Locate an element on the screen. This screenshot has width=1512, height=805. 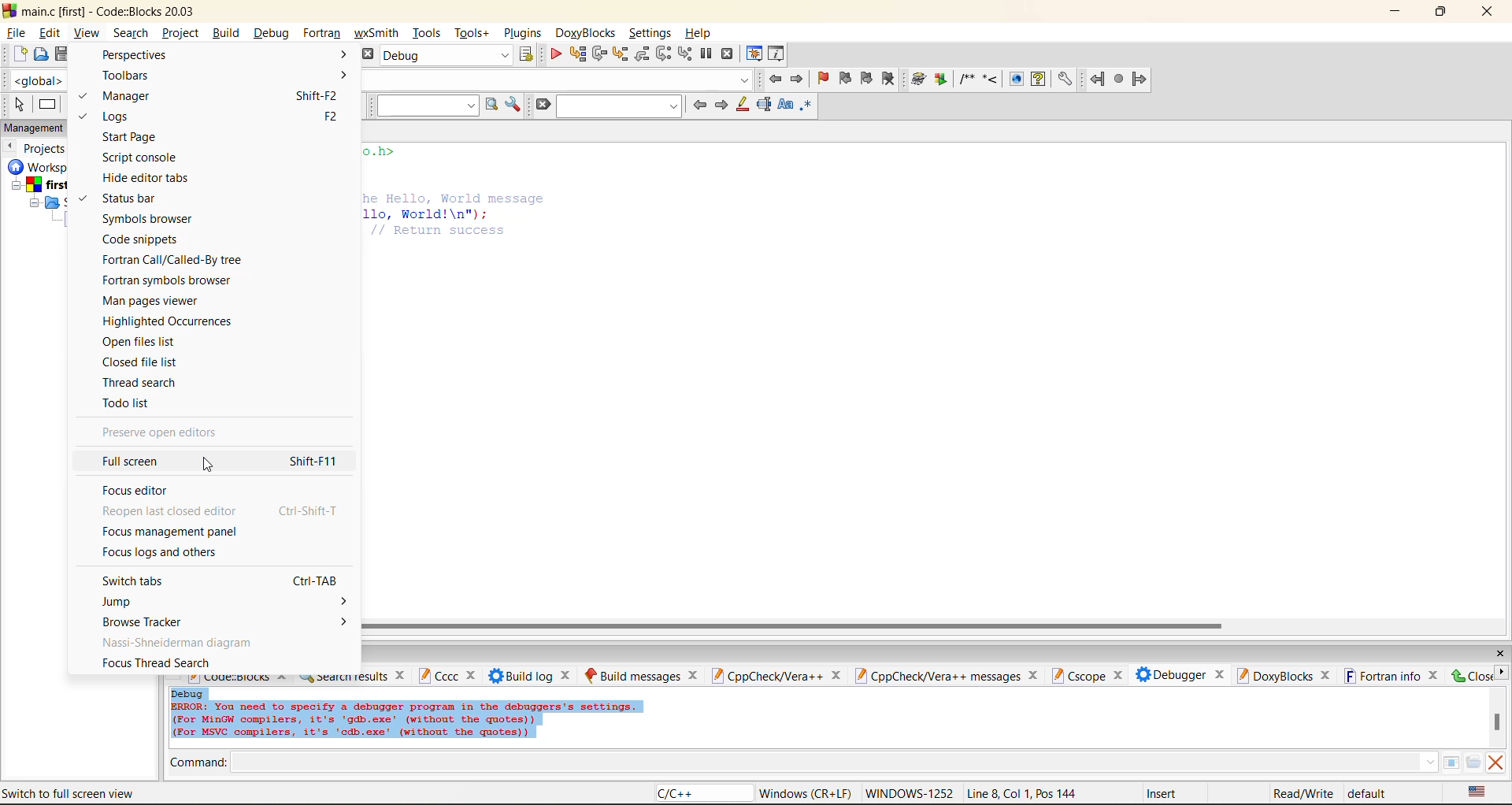
fortran info is located at coordinates (1384, 676).